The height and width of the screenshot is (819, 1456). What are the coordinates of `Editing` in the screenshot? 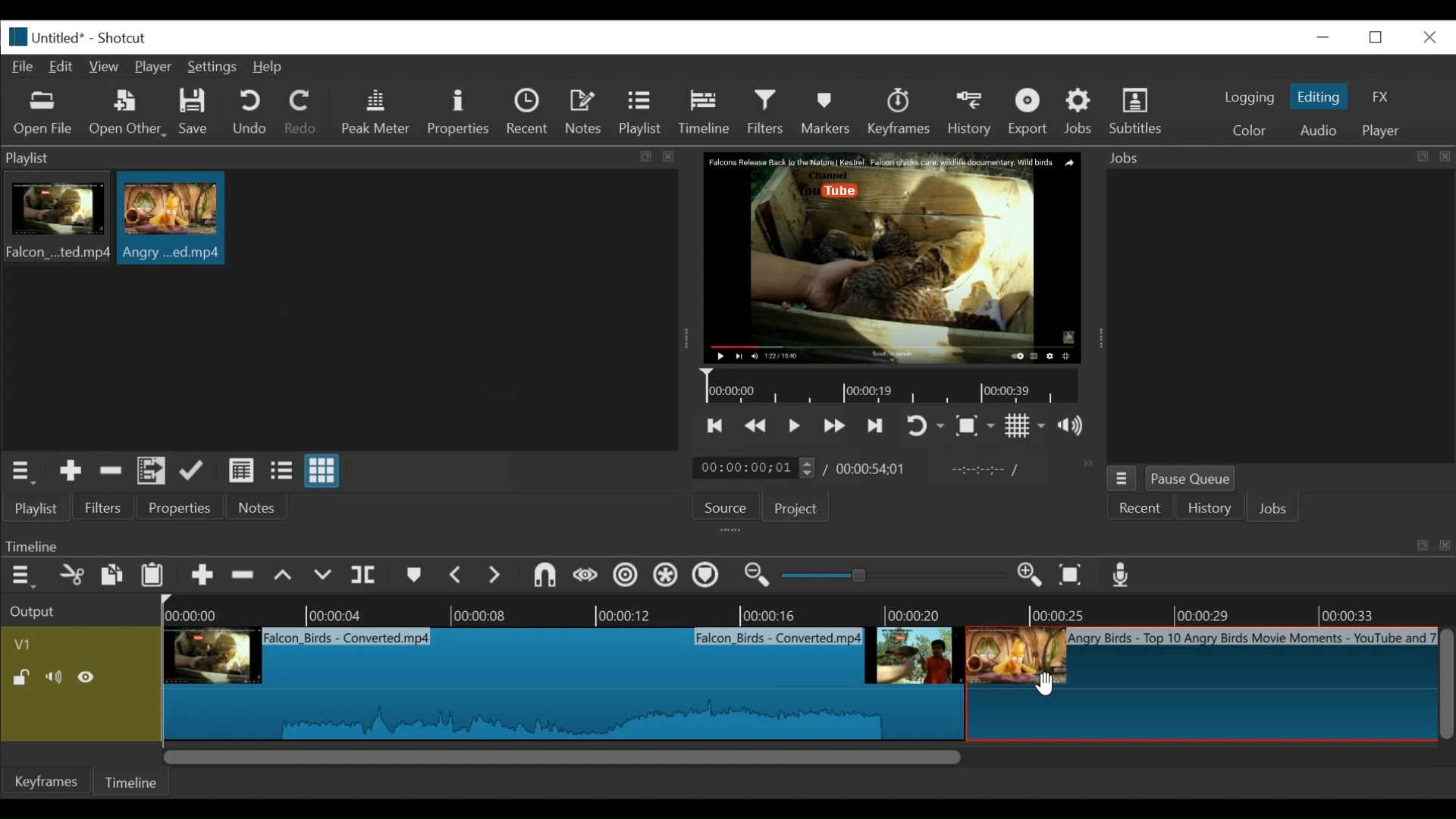 It's located at (1321, 96).